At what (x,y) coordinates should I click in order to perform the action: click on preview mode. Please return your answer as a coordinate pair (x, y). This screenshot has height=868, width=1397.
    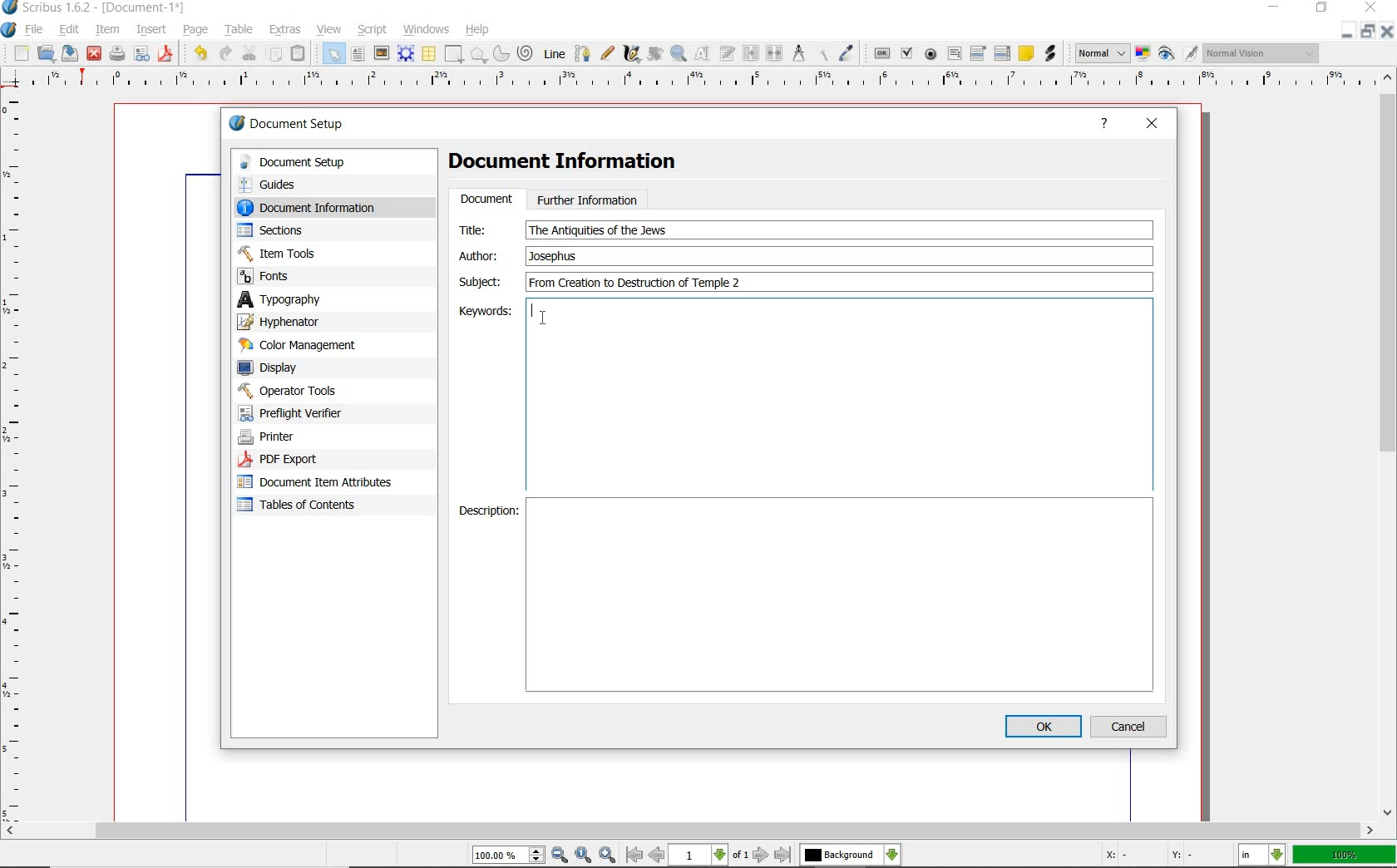
    Looking at the image, I should click on (1179, 54).